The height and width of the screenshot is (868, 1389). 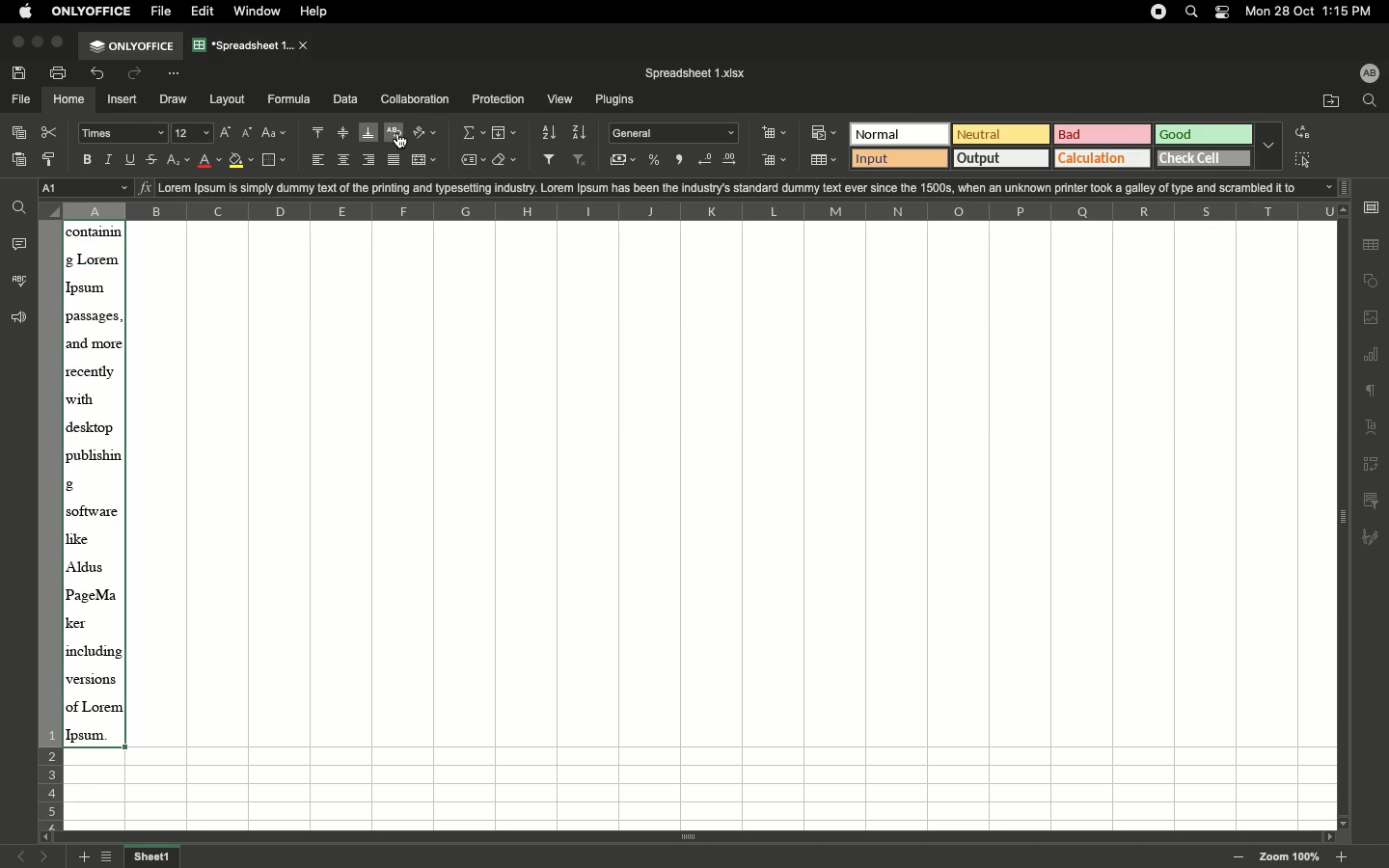 What do you see at coordinates (1326, 834) in the screenshot?
I see `move right` at bounding box center [1326, 834].